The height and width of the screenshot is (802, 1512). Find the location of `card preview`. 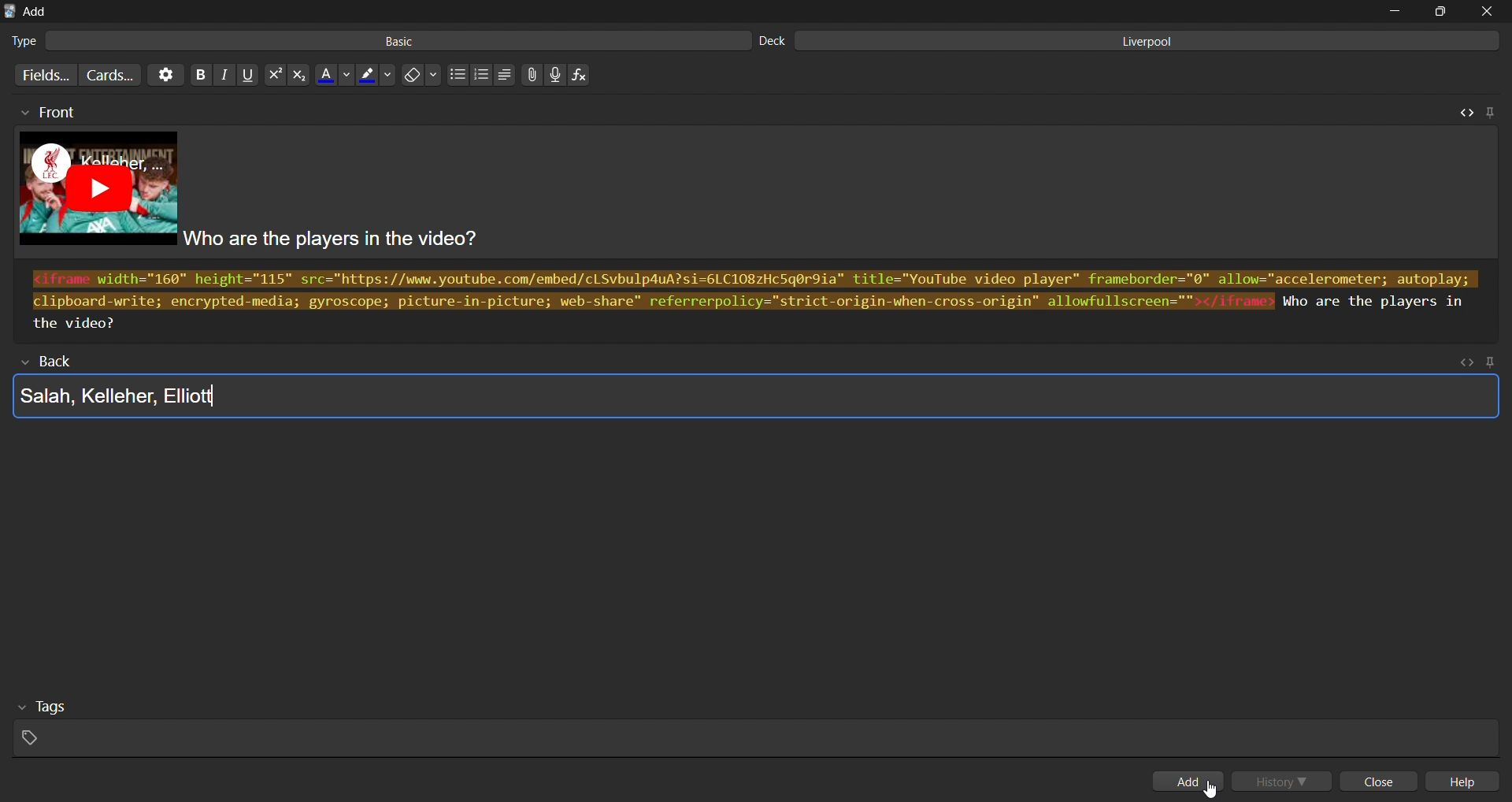

card preview is located at coordinates (760, 195).